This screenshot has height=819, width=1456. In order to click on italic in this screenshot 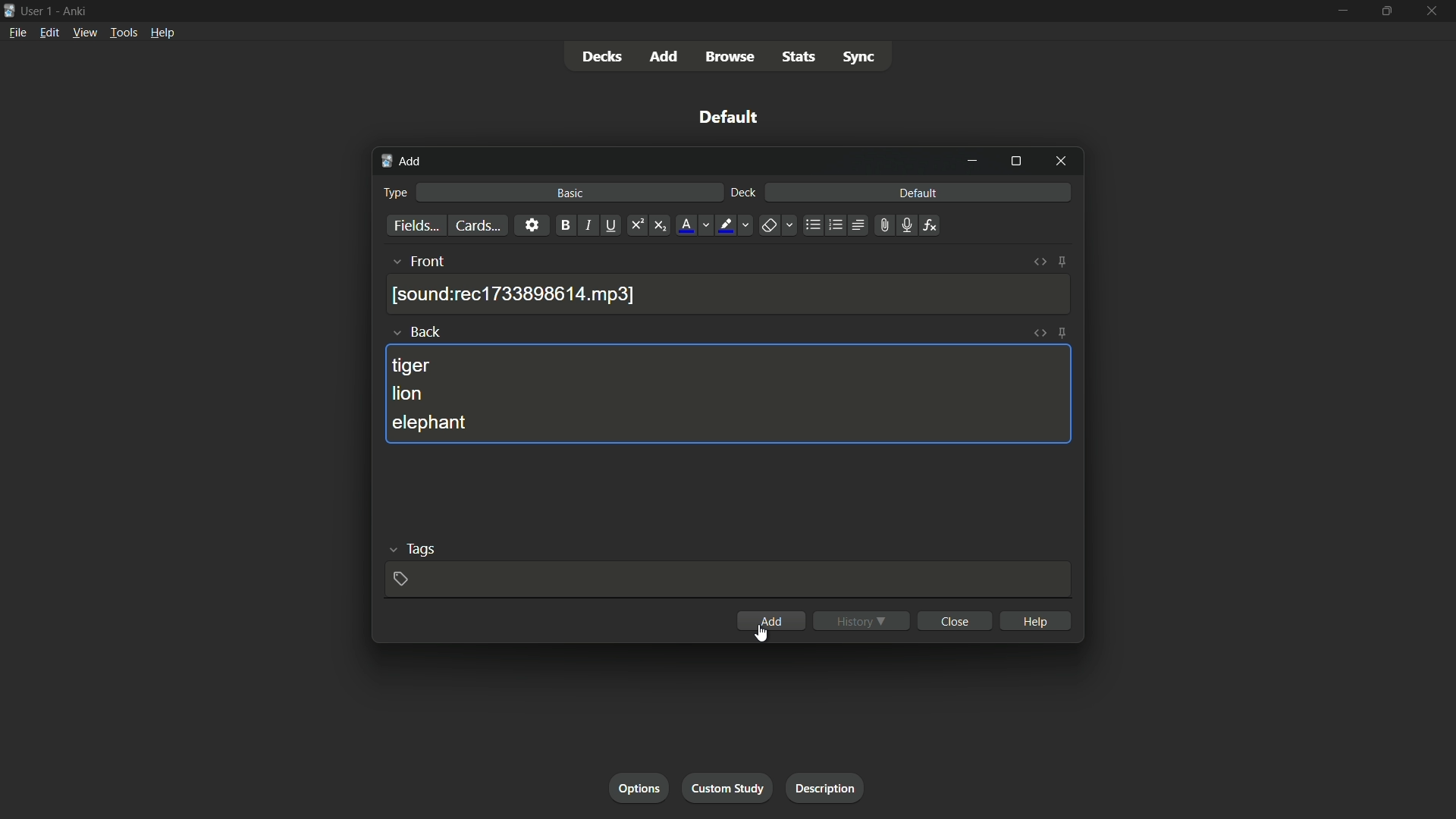, I will do `click(588, 227)`.